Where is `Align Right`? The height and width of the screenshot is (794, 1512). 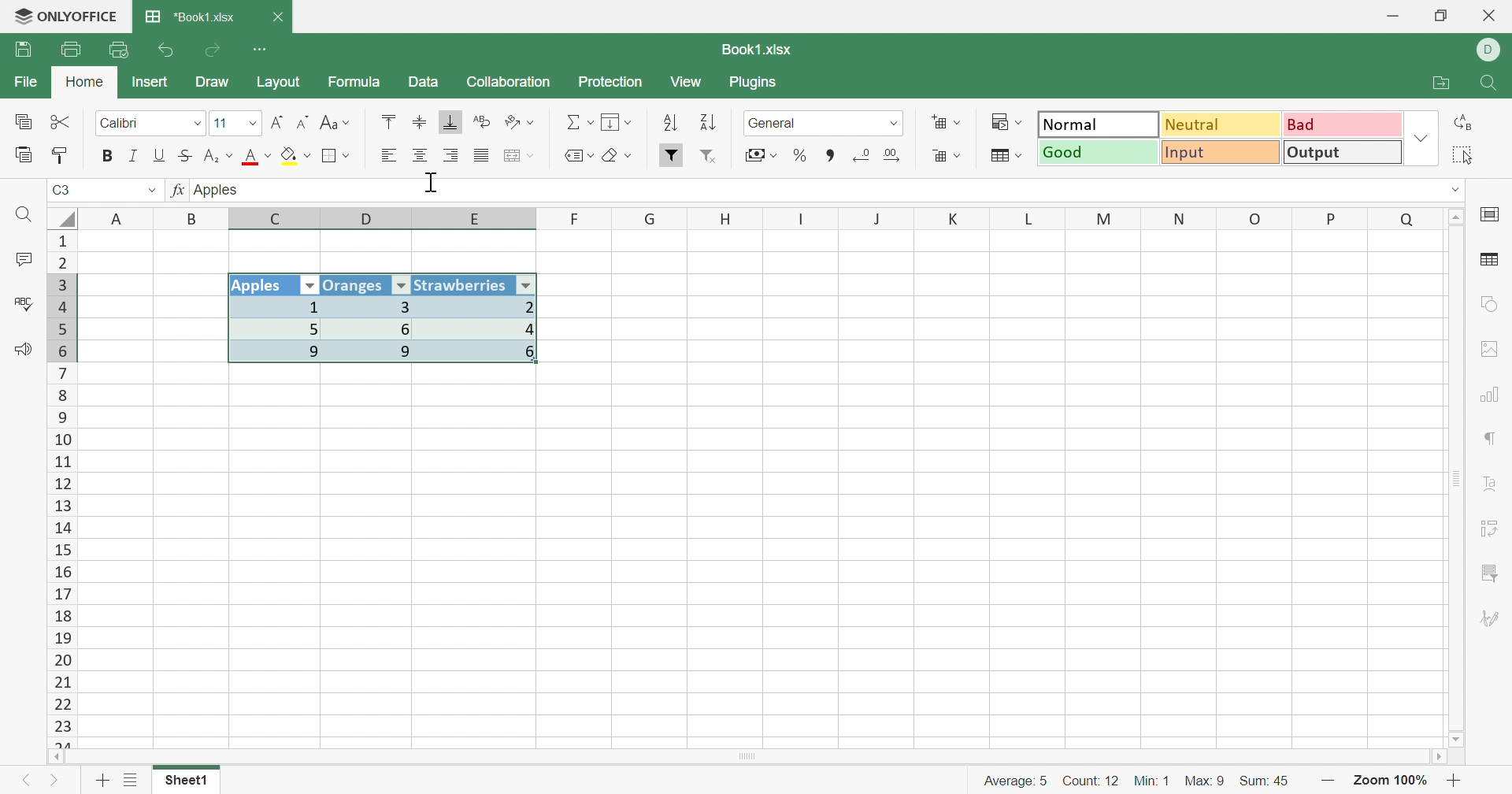 Align Right is located at coordinates (388, 155).